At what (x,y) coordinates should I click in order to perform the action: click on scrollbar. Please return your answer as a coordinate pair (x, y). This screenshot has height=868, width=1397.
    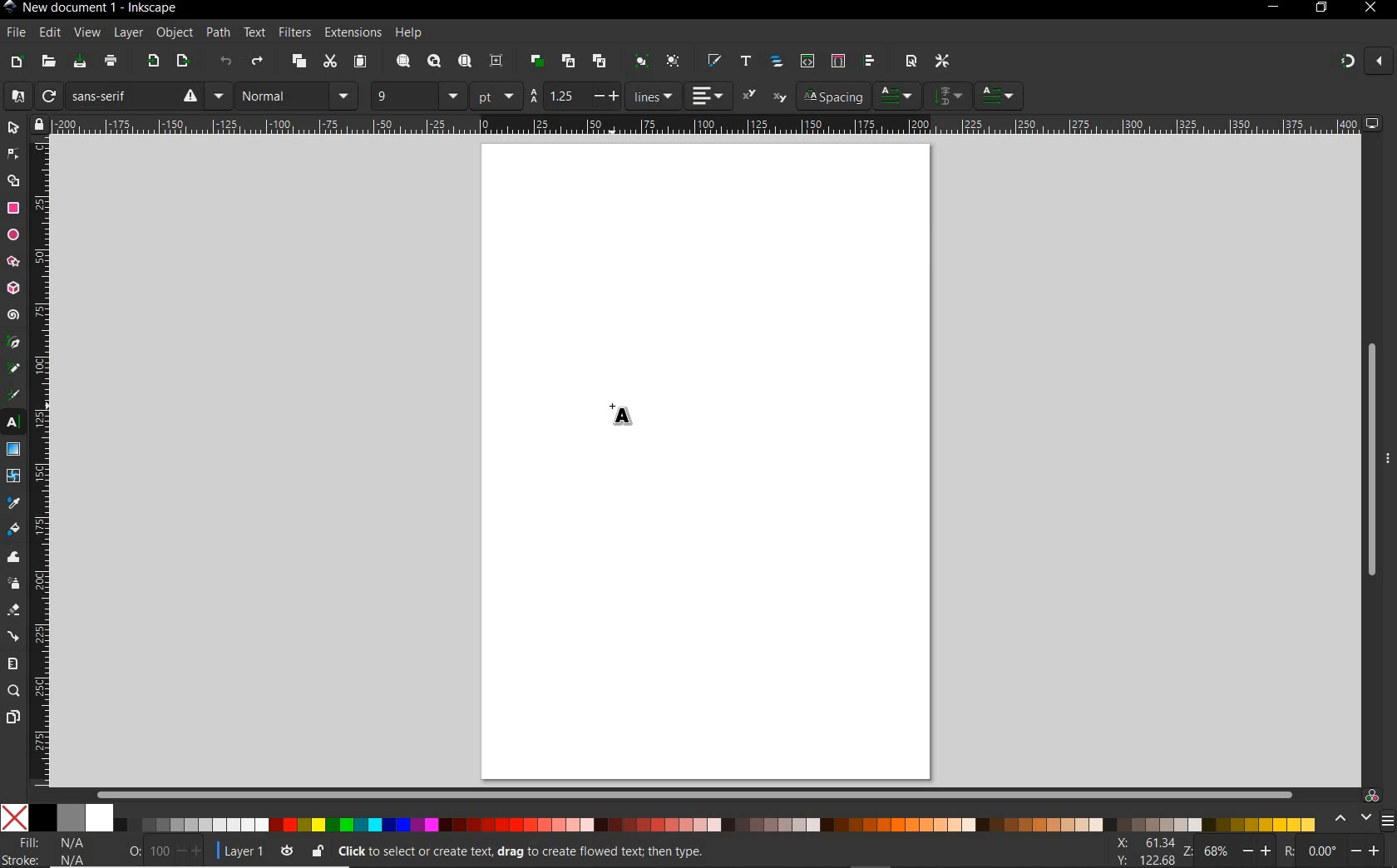
    Looking at the image, I should click on (1370, 461).